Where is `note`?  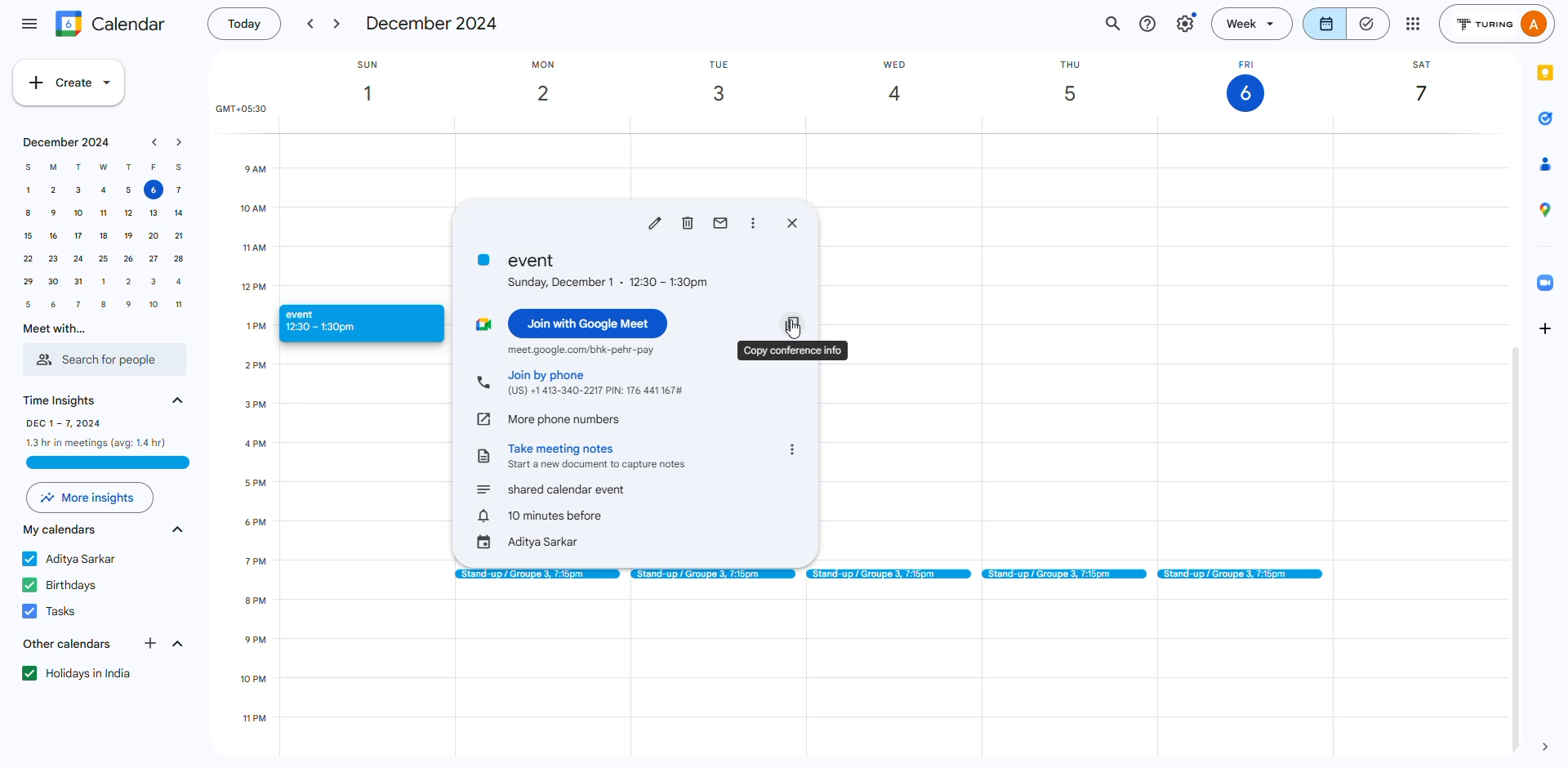
note is located at coordinates (485, 455).